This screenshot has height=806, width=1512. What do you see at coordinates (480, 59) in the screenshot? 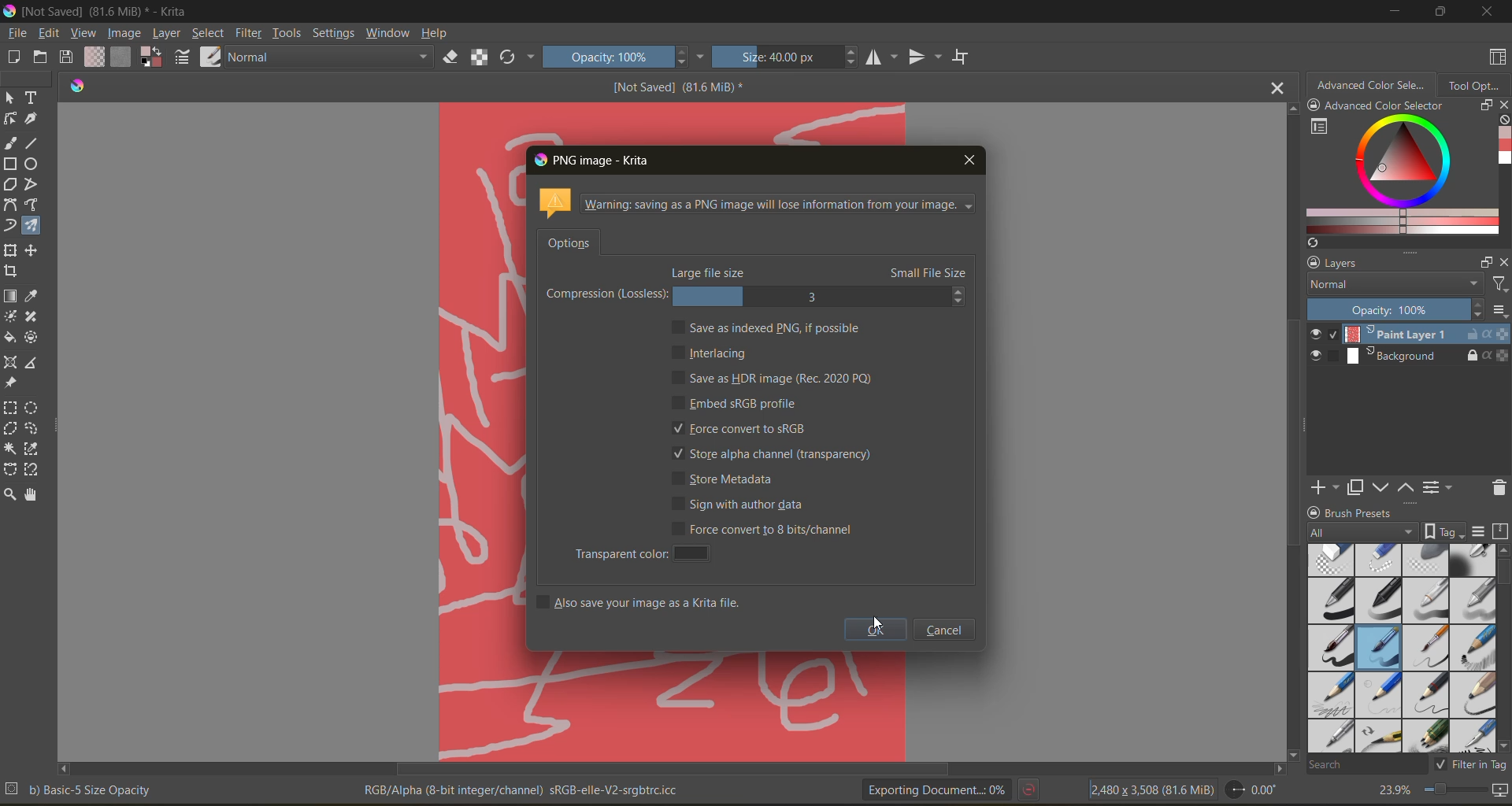
I see `preserve alpha` at bounding box center [480, 59].